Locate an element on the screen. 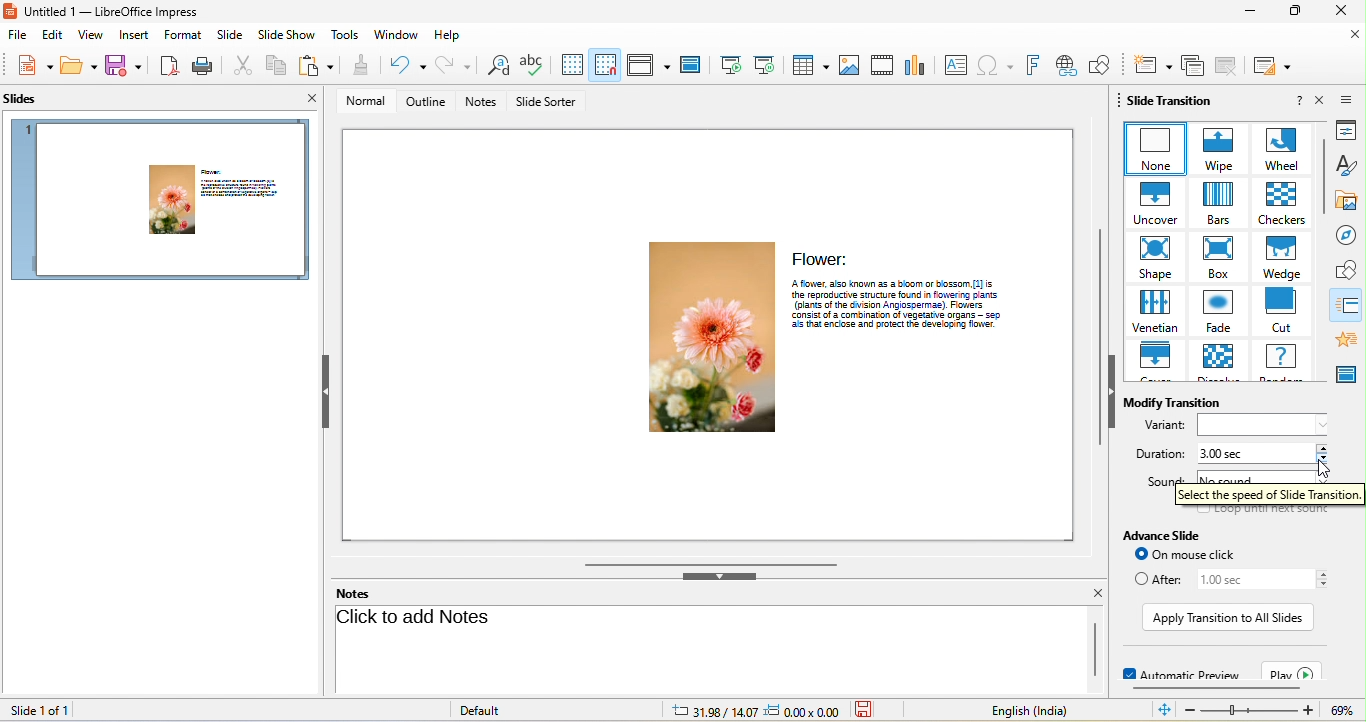 This screenshot has height=722, width=1366. no sound is located at coordinates (1251, 476).